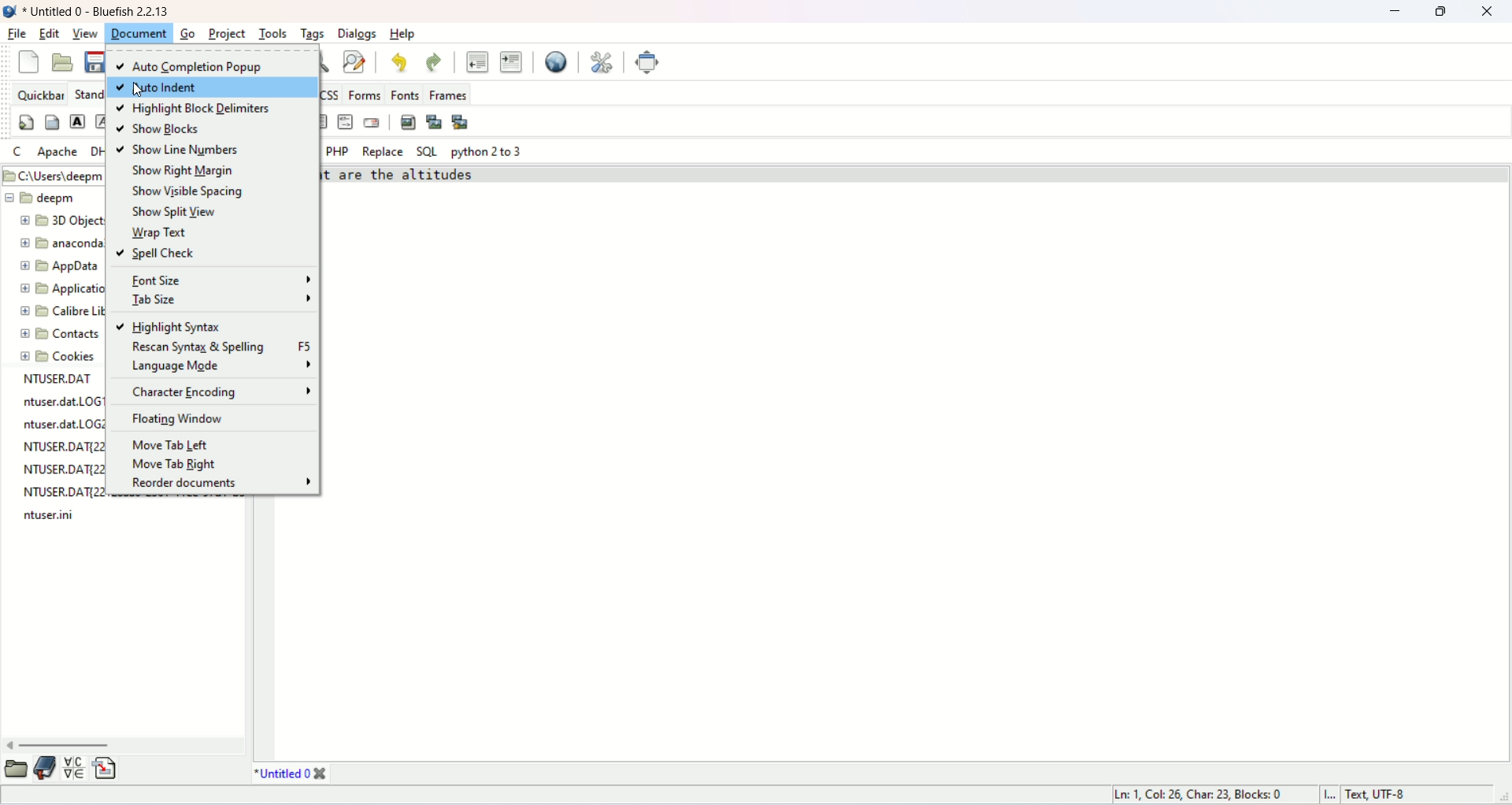 The width and height of the screenshot is (1512, 805). What do you see at coordinates (220, 391) in the screenshot?
I see `character encoding` at bounding box center [220, 391].